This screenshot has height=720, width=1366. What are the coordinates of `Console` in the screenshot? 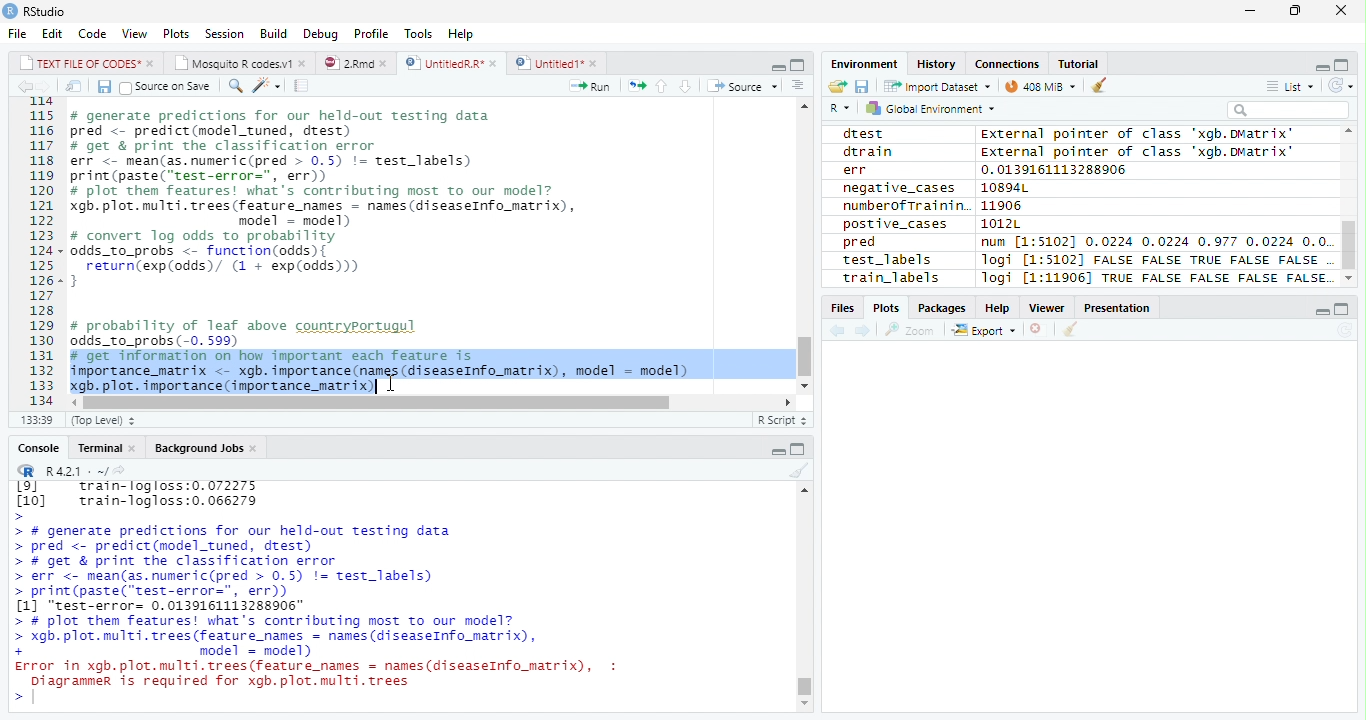 It's located at (39, 447).